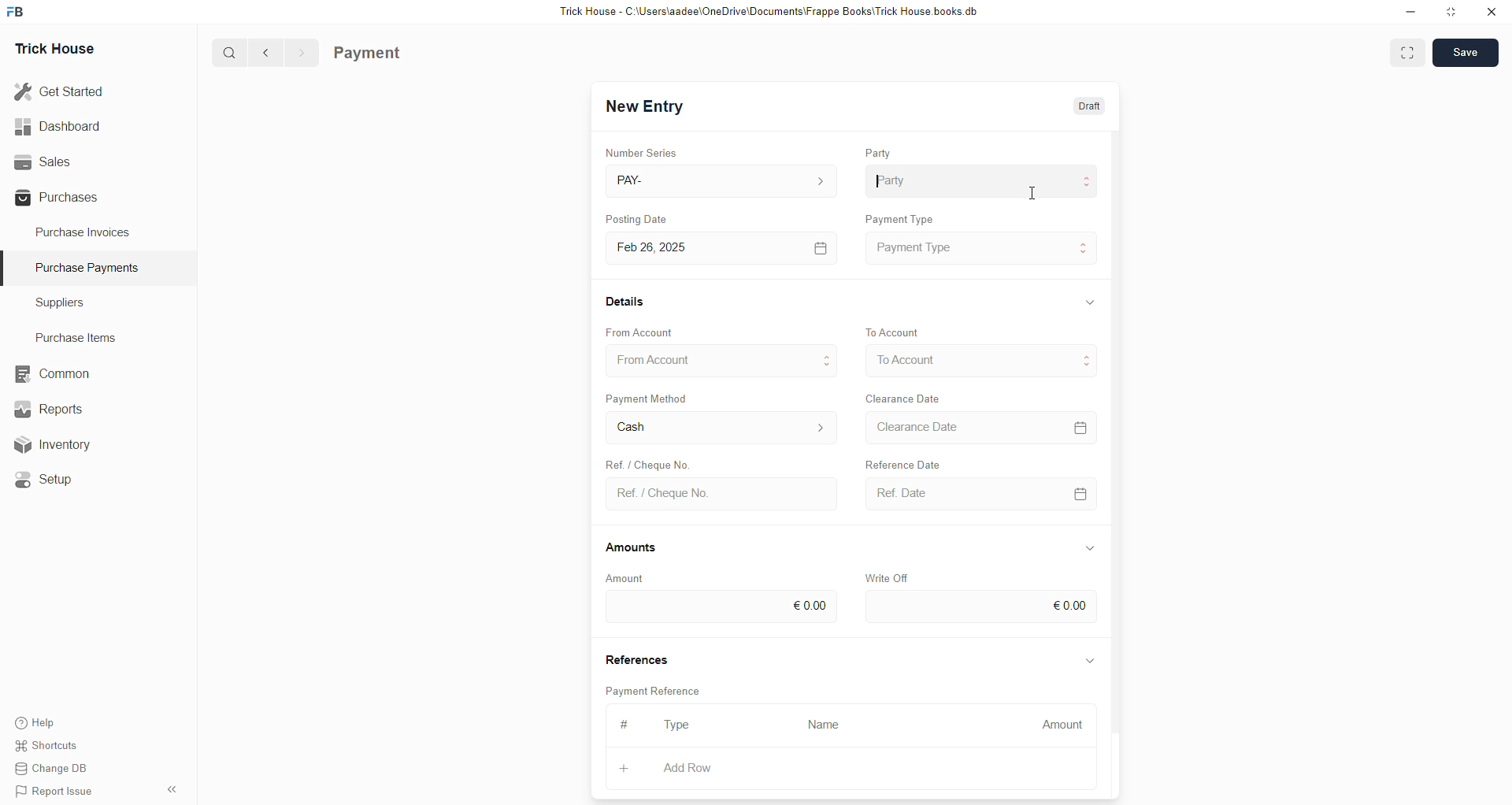  Describe the element at coordinates (641, 150) in the screenshot. I see `Number Series` at that location.